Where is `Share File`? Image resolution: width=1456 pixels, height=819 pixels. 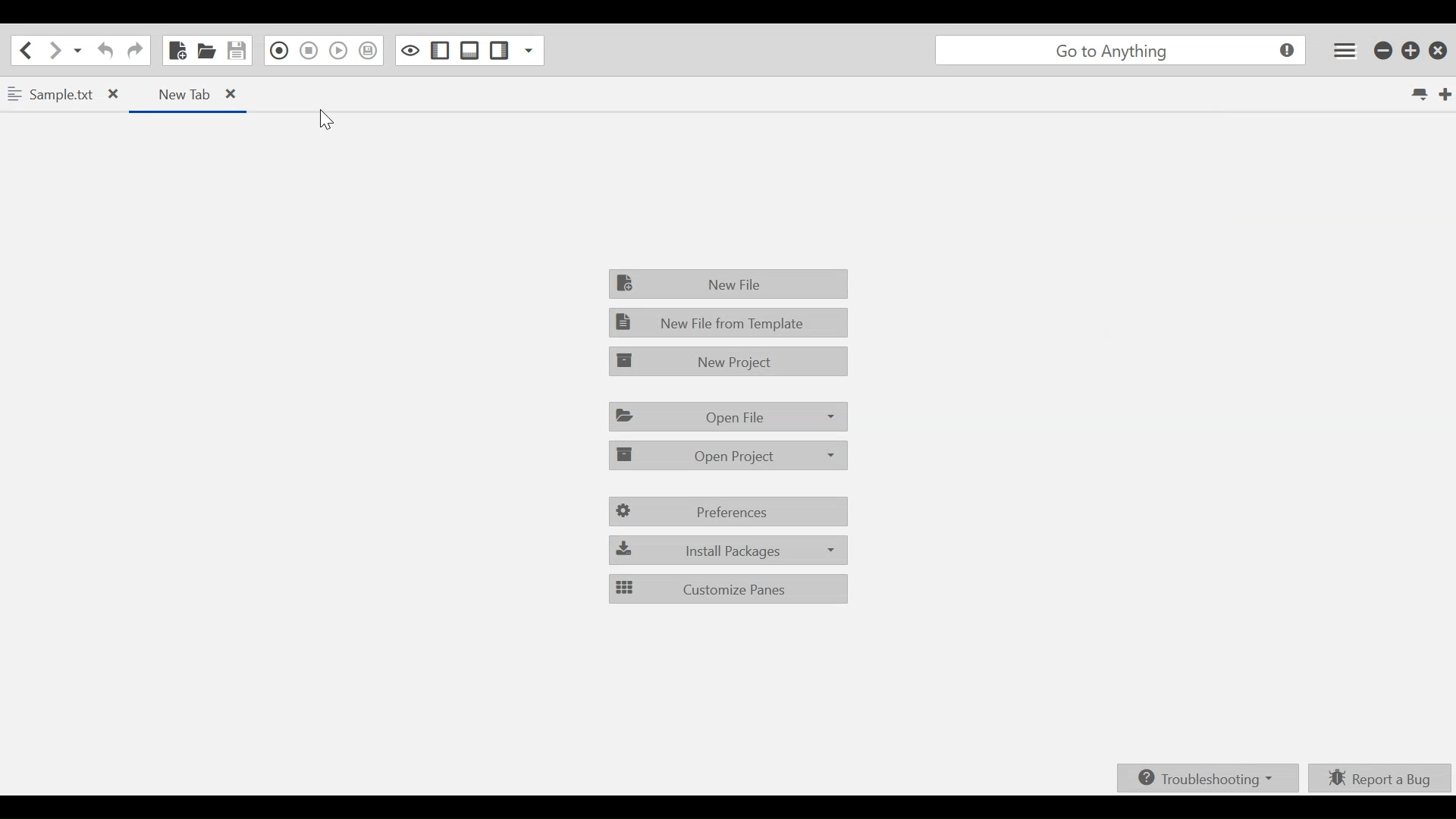
Share File is located at coordinates (531, 50).